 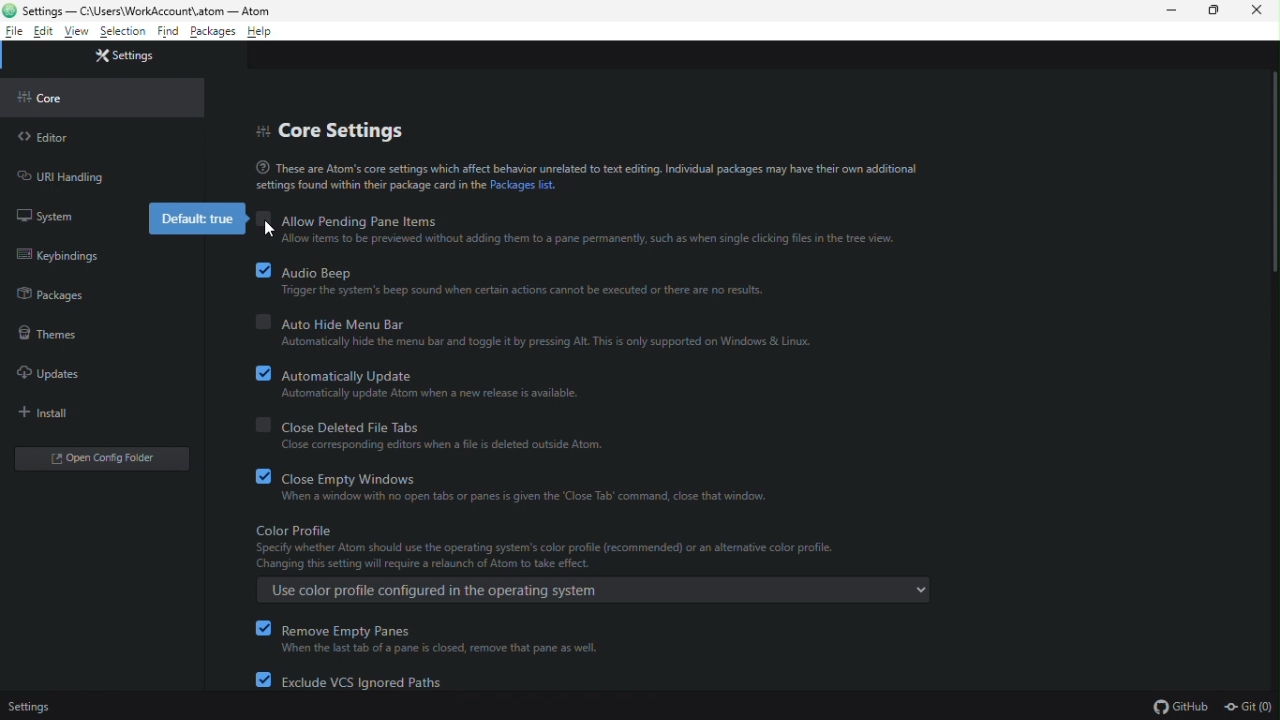 What do you see at coordinates (77, 32) in the screenshot?
I see `view ` at bounding box center [77, 32].